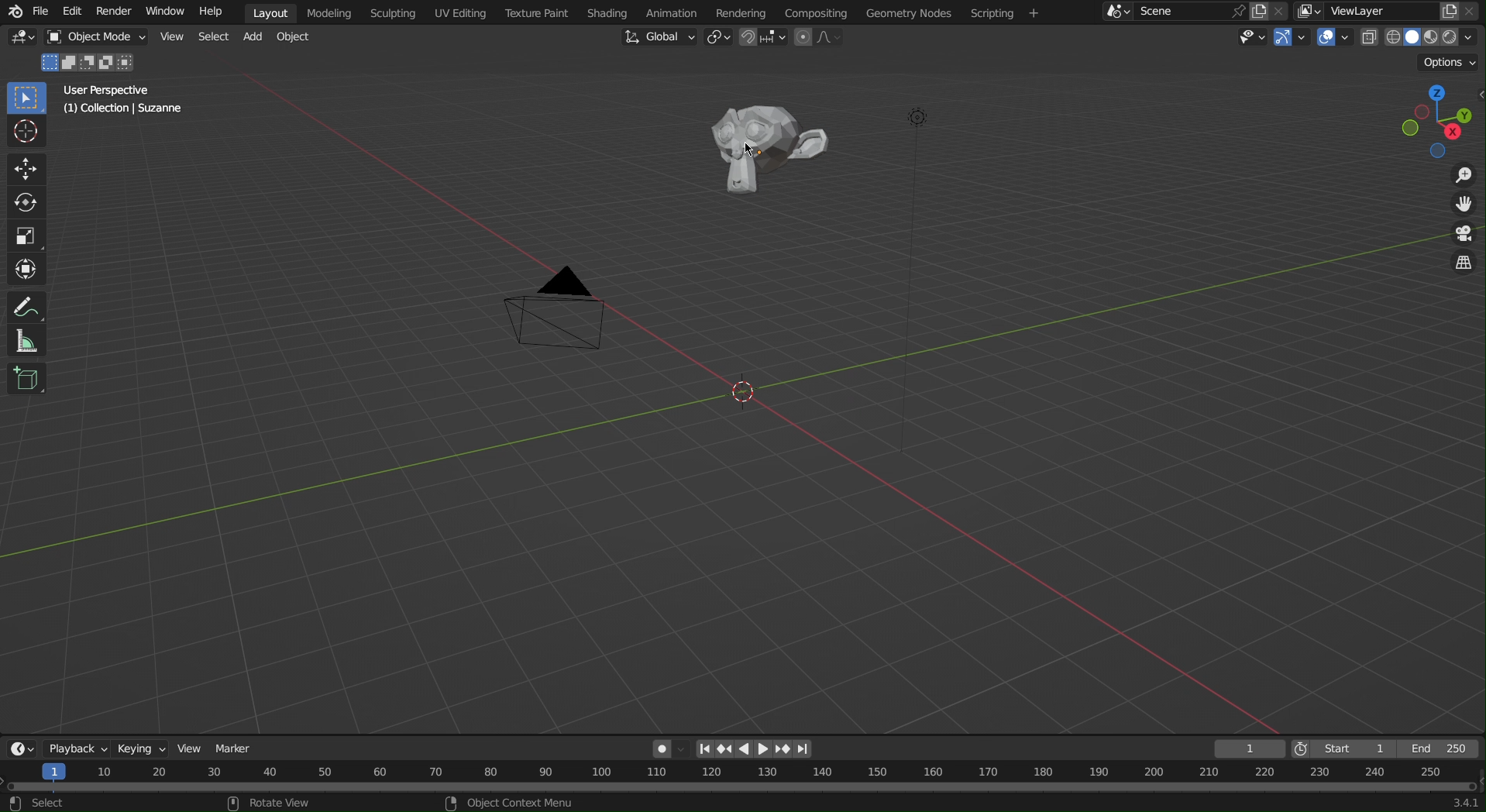  Describe the element at coordinates (43, 15) in the screenshot. I see `File ` at that location.